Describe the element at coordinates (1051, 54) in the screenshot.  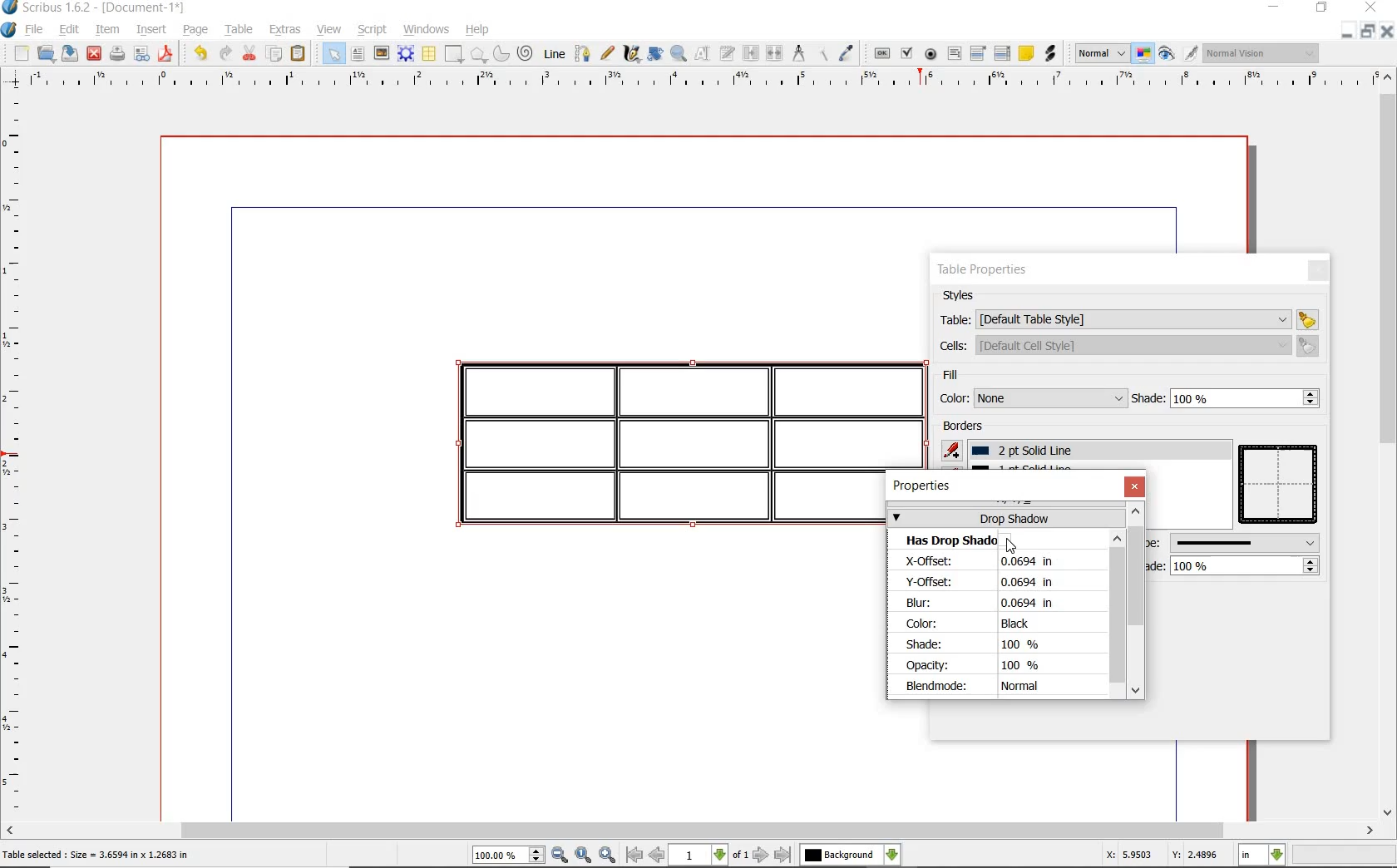
I see `link annotation` at that location.